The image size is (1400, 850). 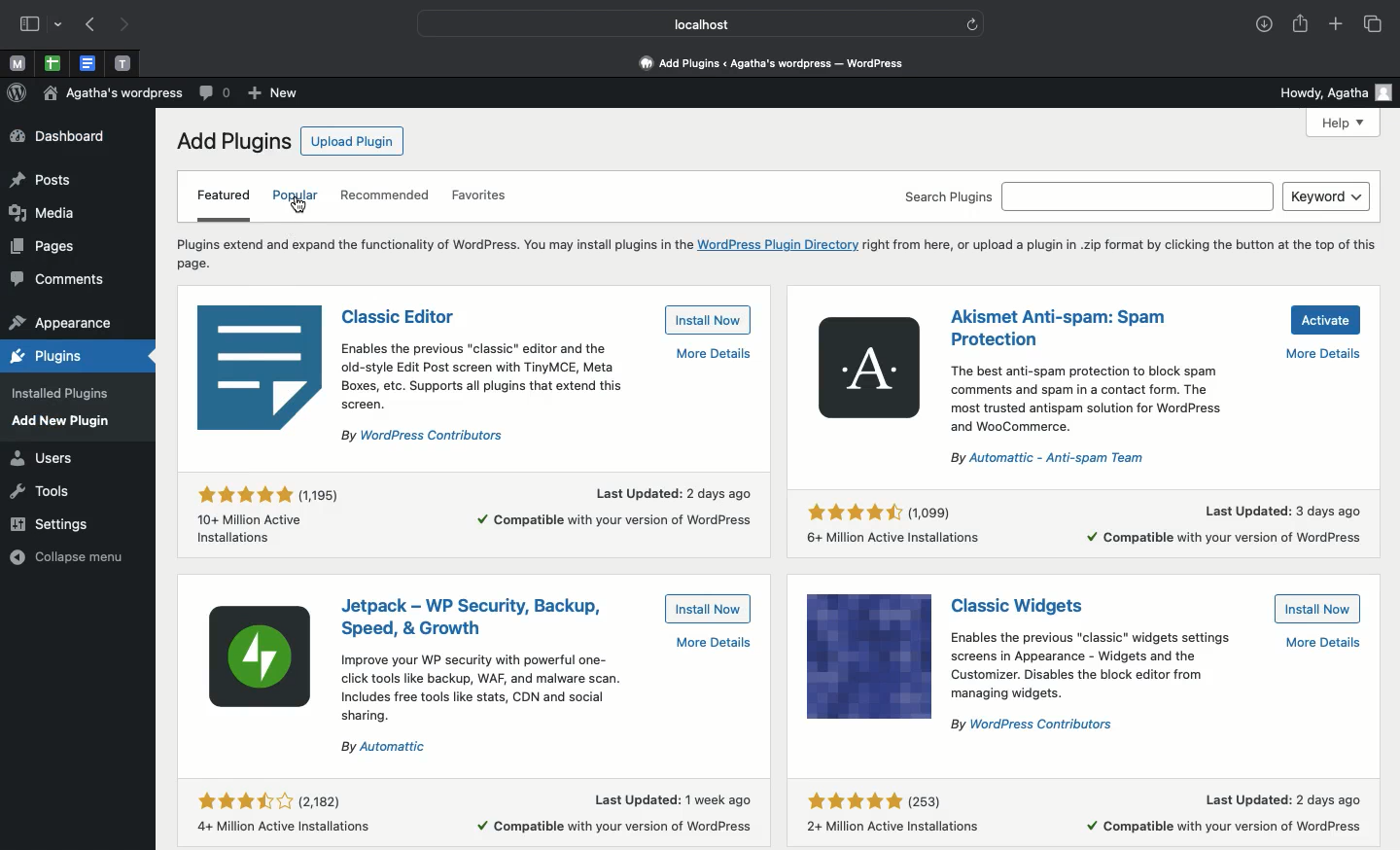 I want to click on Upload plugin, so click(x=354, y=141).